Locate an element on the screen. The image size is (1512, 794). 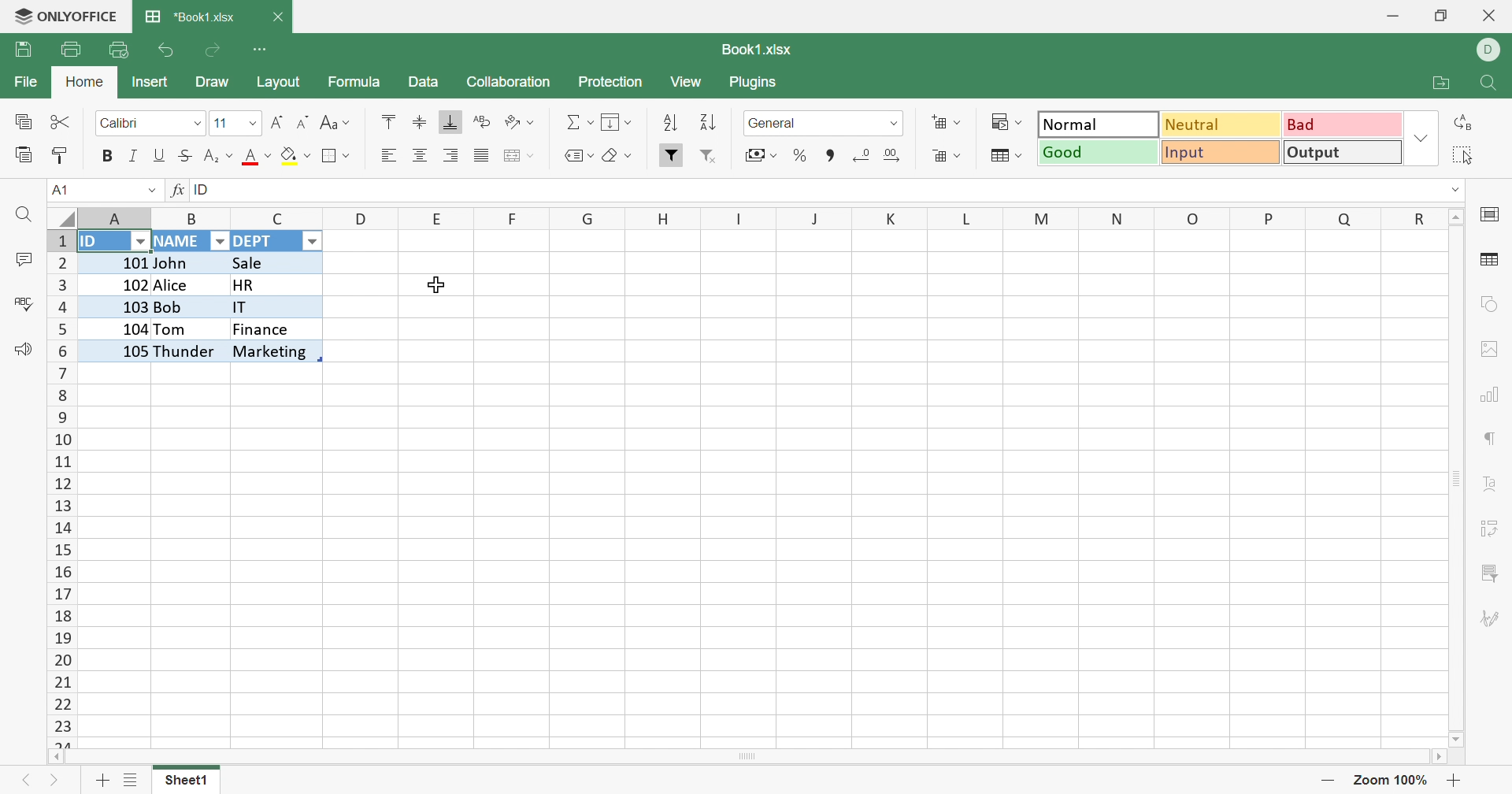
Paste is located at coordinates (22, 154).